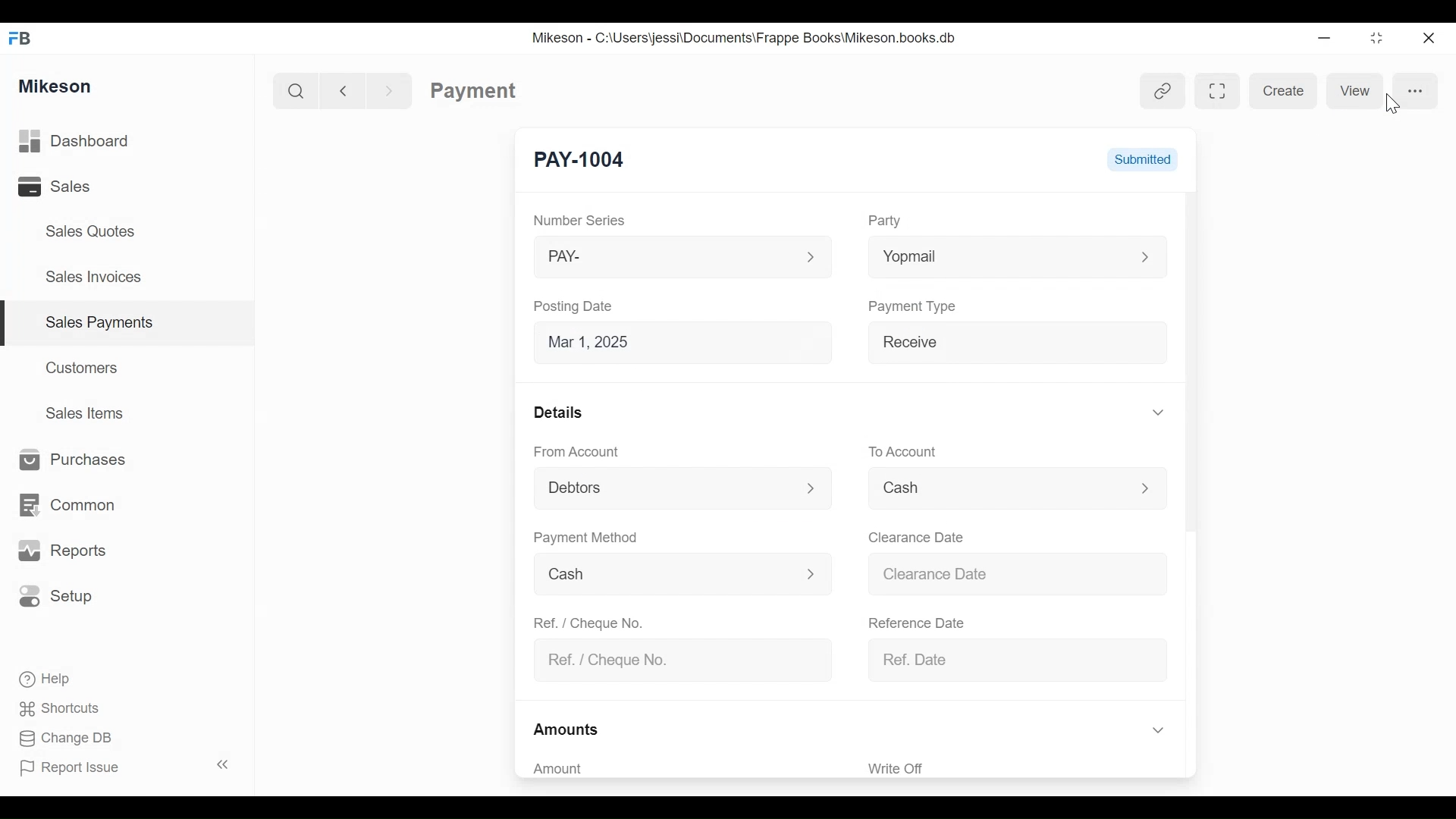 This screenshot has width=1456, height=819. What do you see at coordinates (687, 660) in the screenshot?
I see `Ref. / Cheque No.` at bounding box center [687, 660].